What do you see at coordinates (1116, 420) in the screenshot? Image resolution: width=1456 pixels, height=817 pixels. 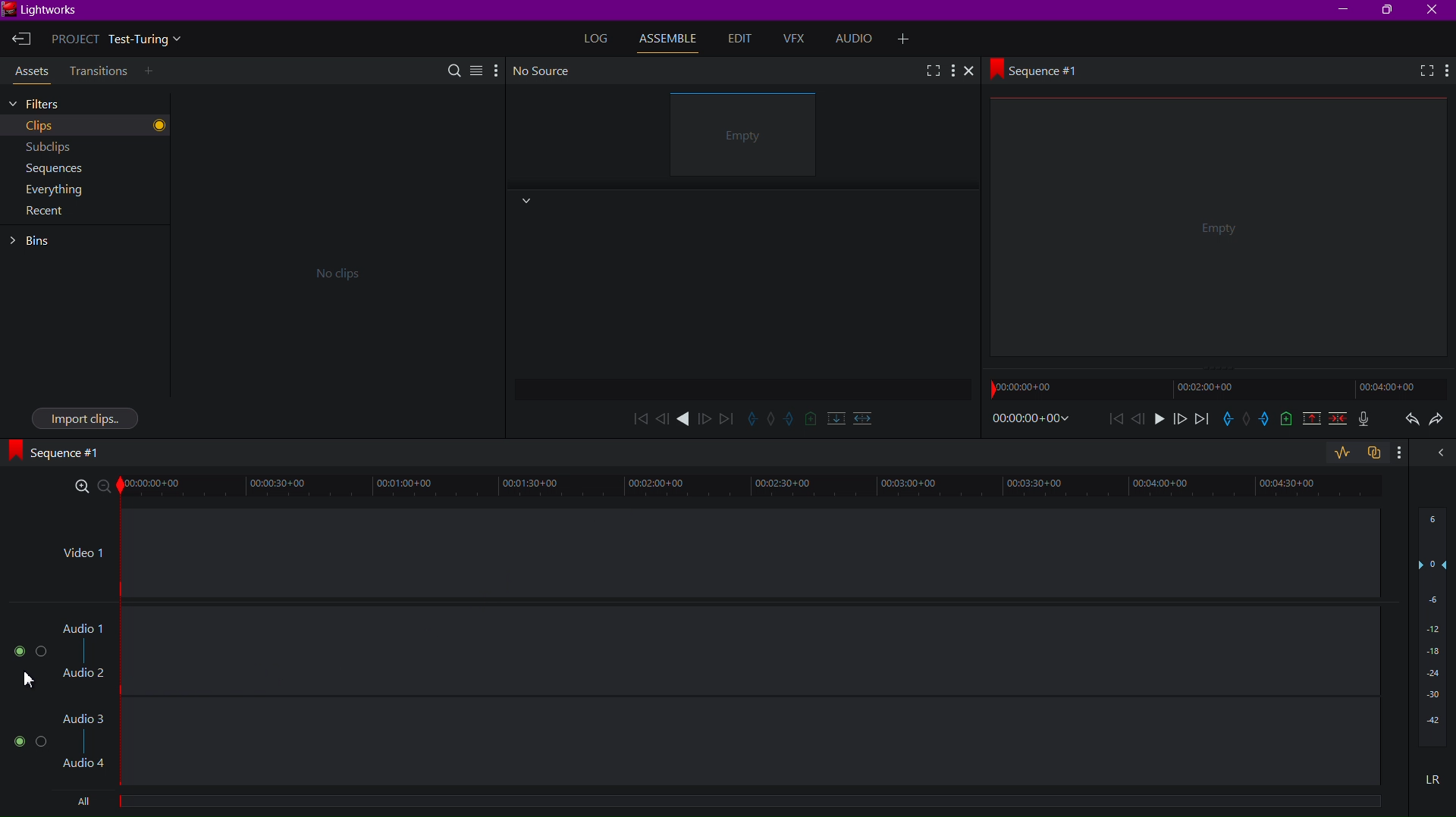 I see `beginning` at bounding box center [1116, 420].